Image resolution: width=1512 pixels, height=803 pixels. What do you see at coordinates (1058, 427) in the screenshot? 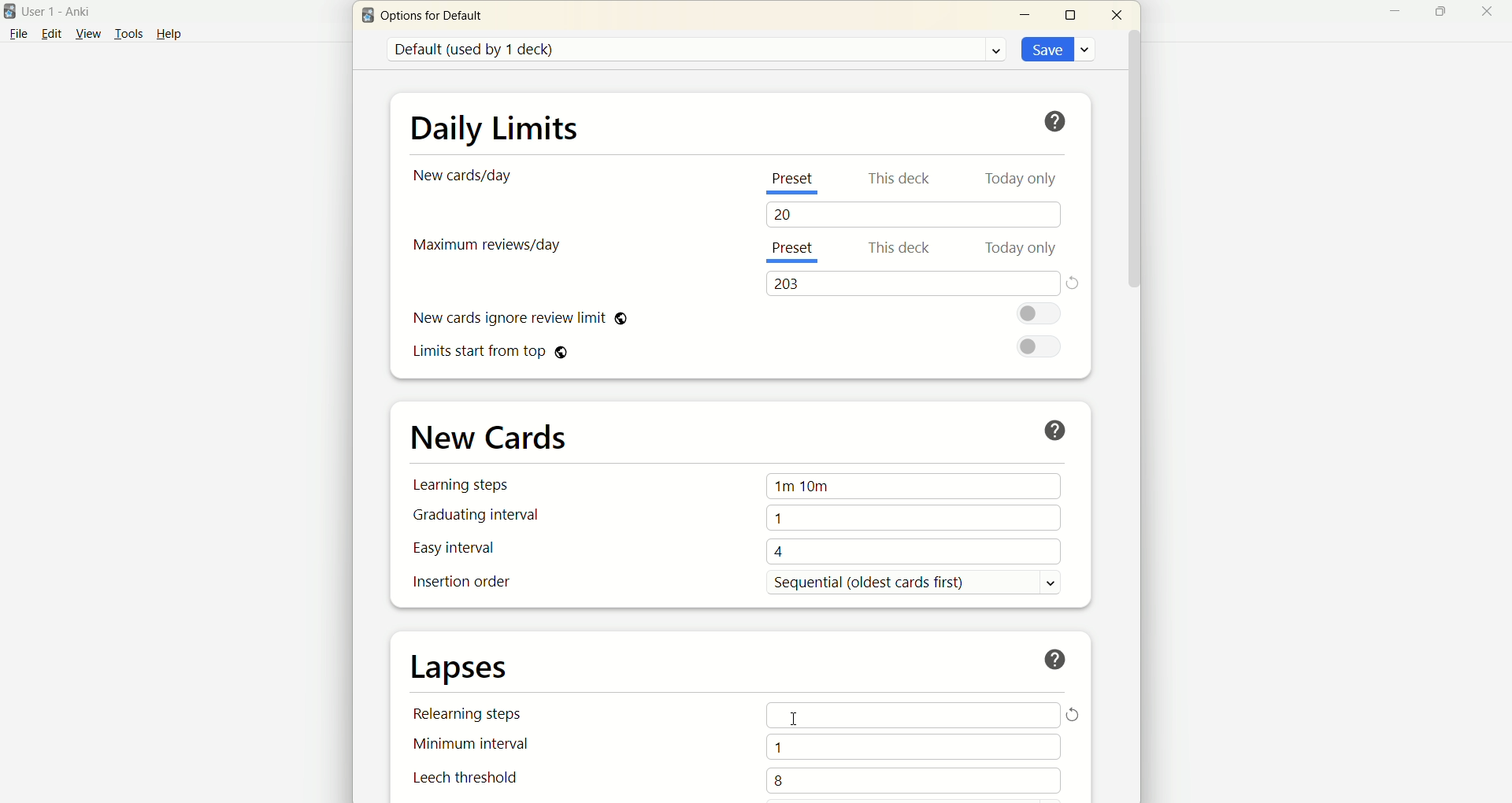
I see `help` at bounding box center [1058, 427].